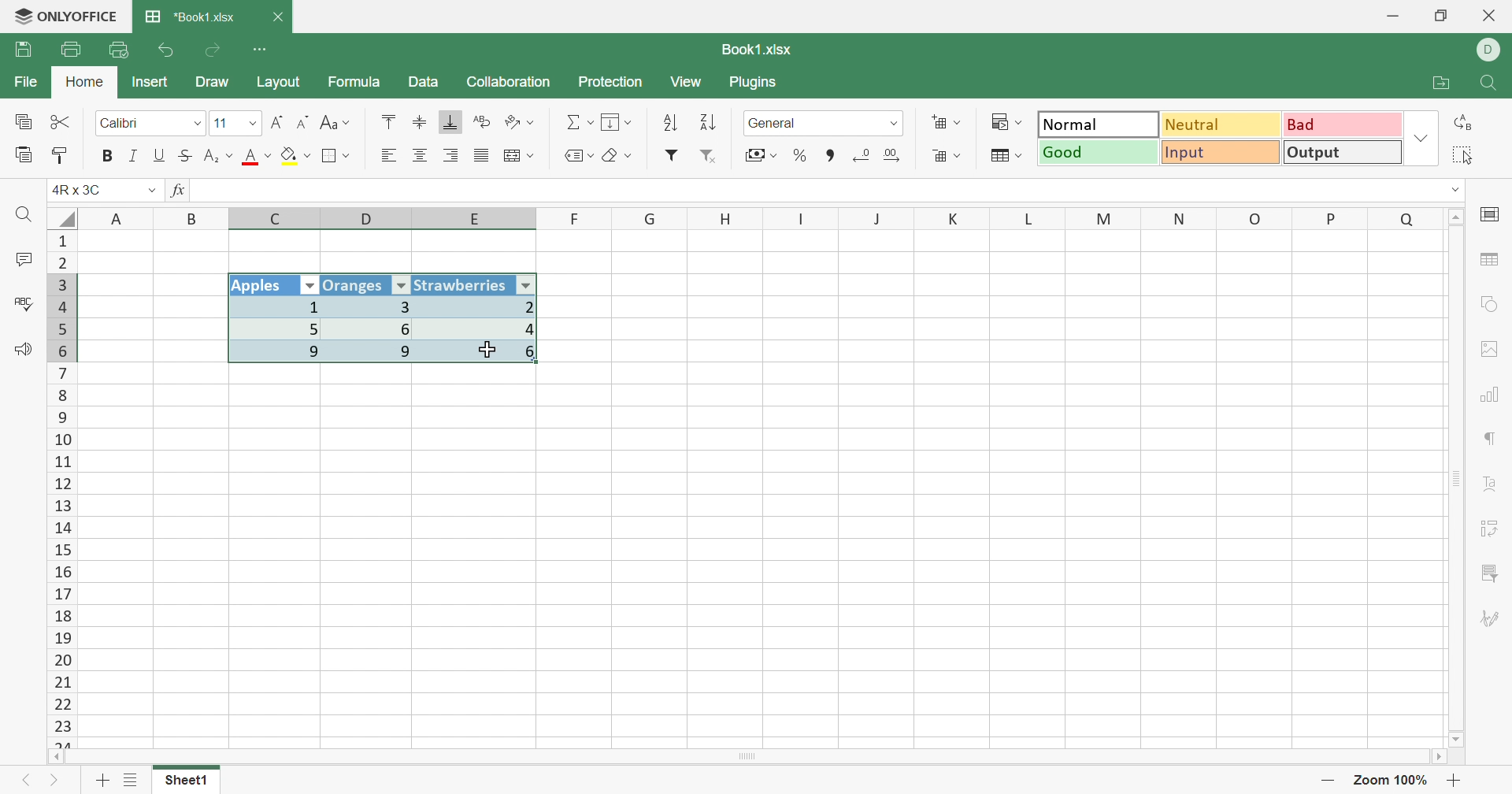 This screenshot has height=794, width=1512. What do you see at coordinates (1392, 17) in the screenshot?
I see `Minimize` at bounding box center [1392, 17].